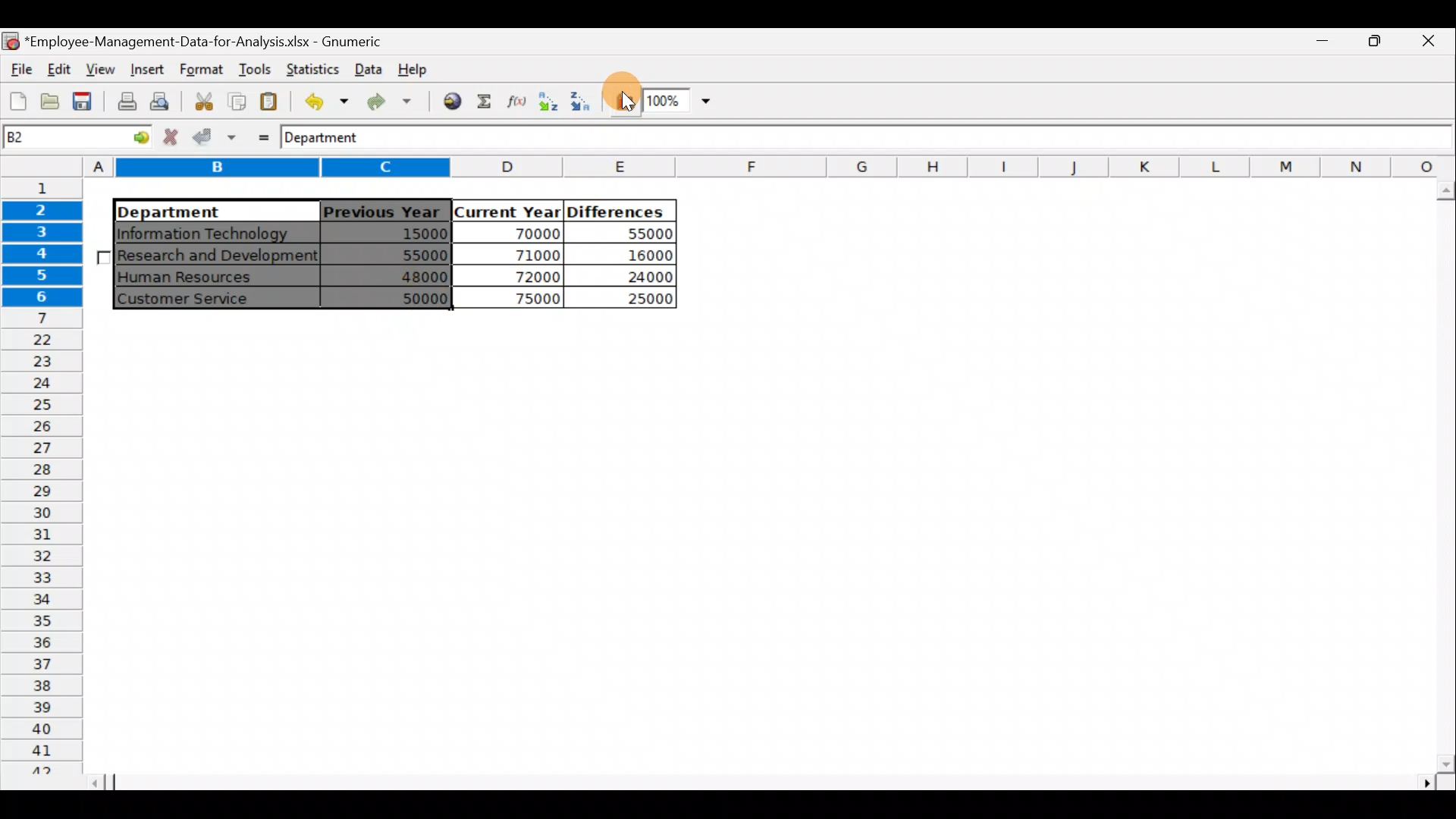 This screenshot has width=1456, height=819. Describe the element at coordinates (103, 67) in the screenshot. I see `View` at that location.